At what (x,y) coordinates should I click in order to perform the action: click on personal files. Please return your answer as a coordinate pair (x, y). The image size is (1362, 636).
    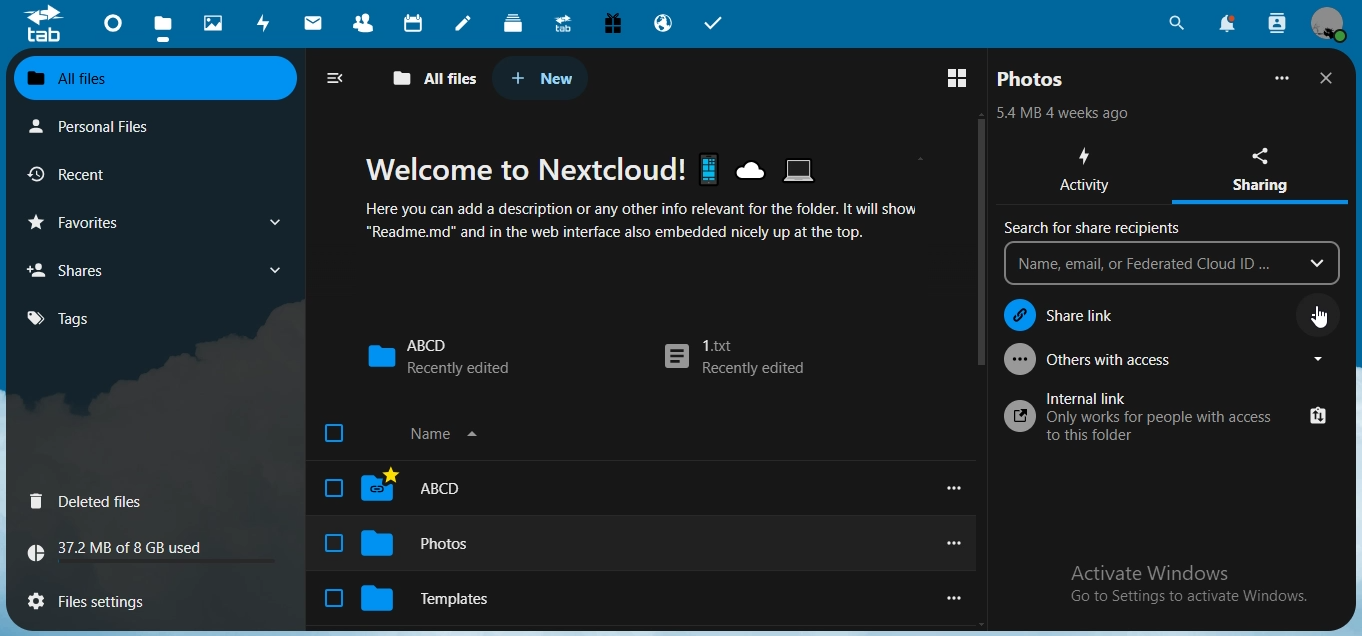
    Looking at the image, I should click on (106, 125).